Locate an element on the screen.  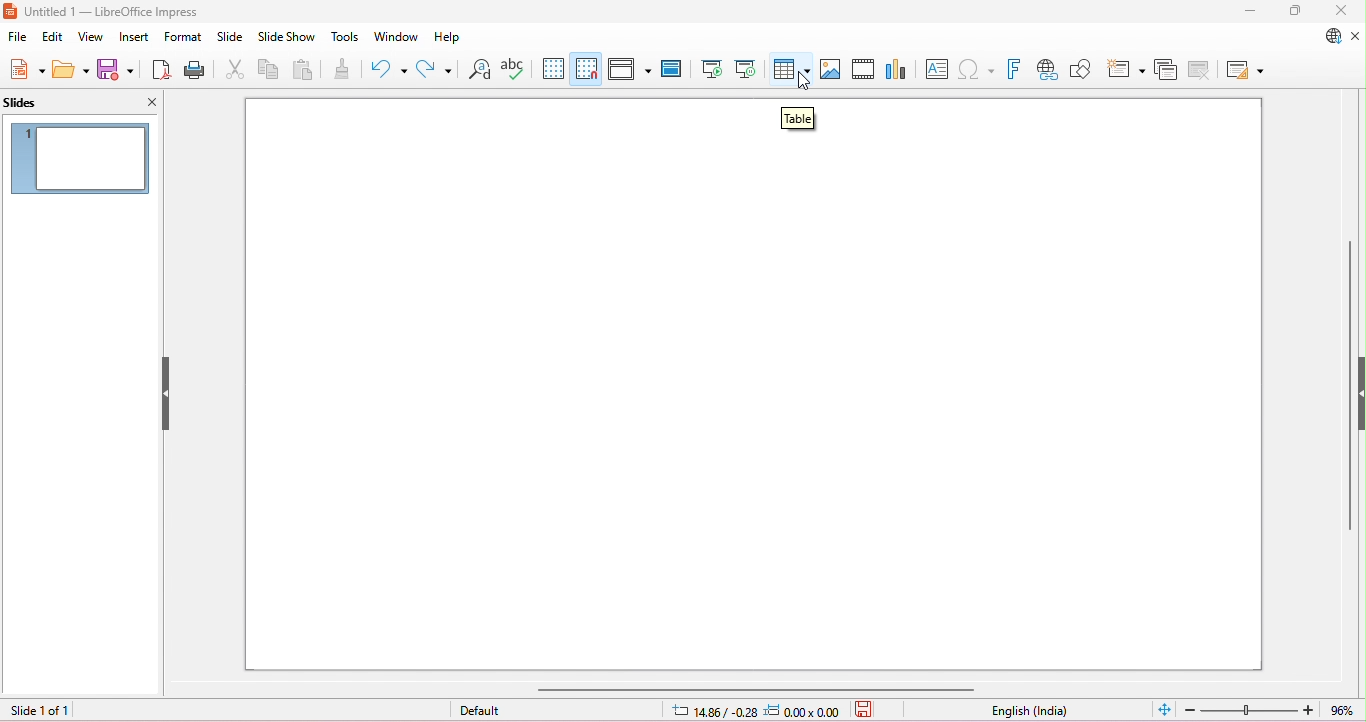
untitled 1- libreoffice impress is located at coordinates (102, 11).